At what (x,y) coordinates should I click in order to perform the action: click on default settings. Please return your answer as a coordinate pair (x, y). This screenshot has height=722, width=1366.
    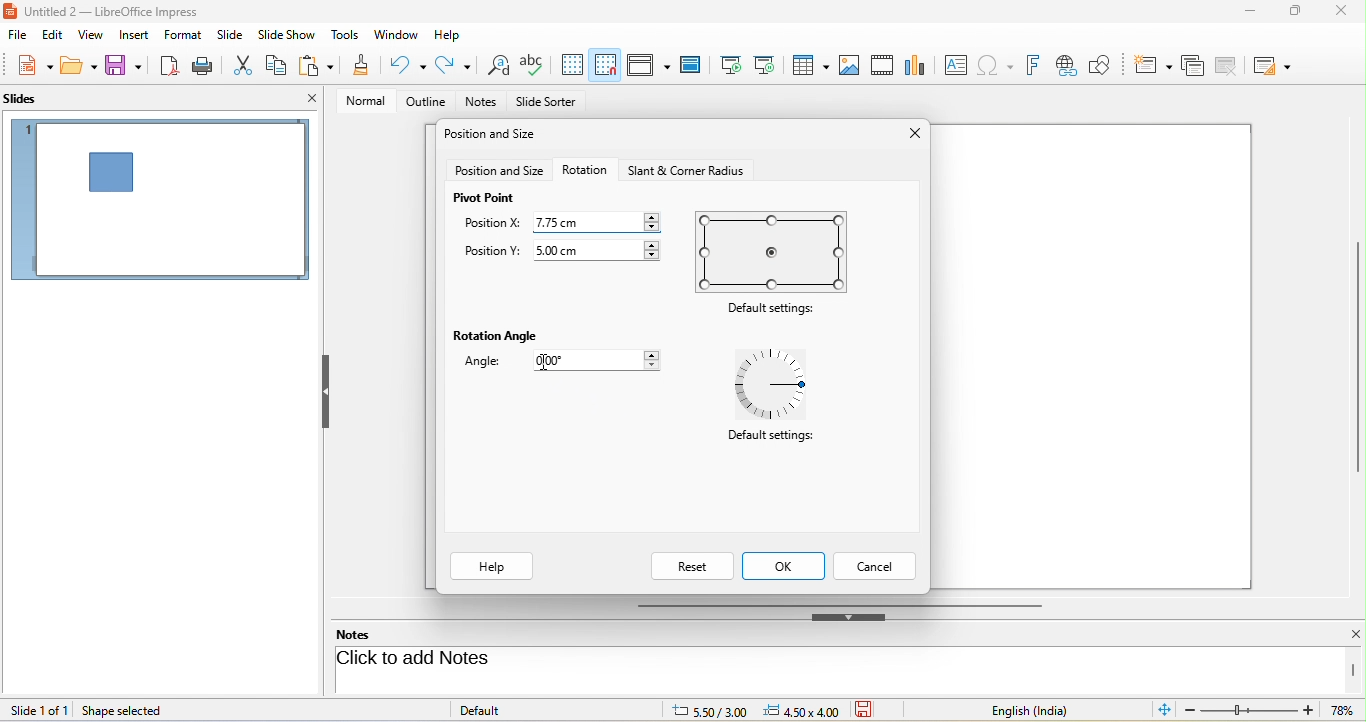
    Looking at the image, I should click on (769, 440).